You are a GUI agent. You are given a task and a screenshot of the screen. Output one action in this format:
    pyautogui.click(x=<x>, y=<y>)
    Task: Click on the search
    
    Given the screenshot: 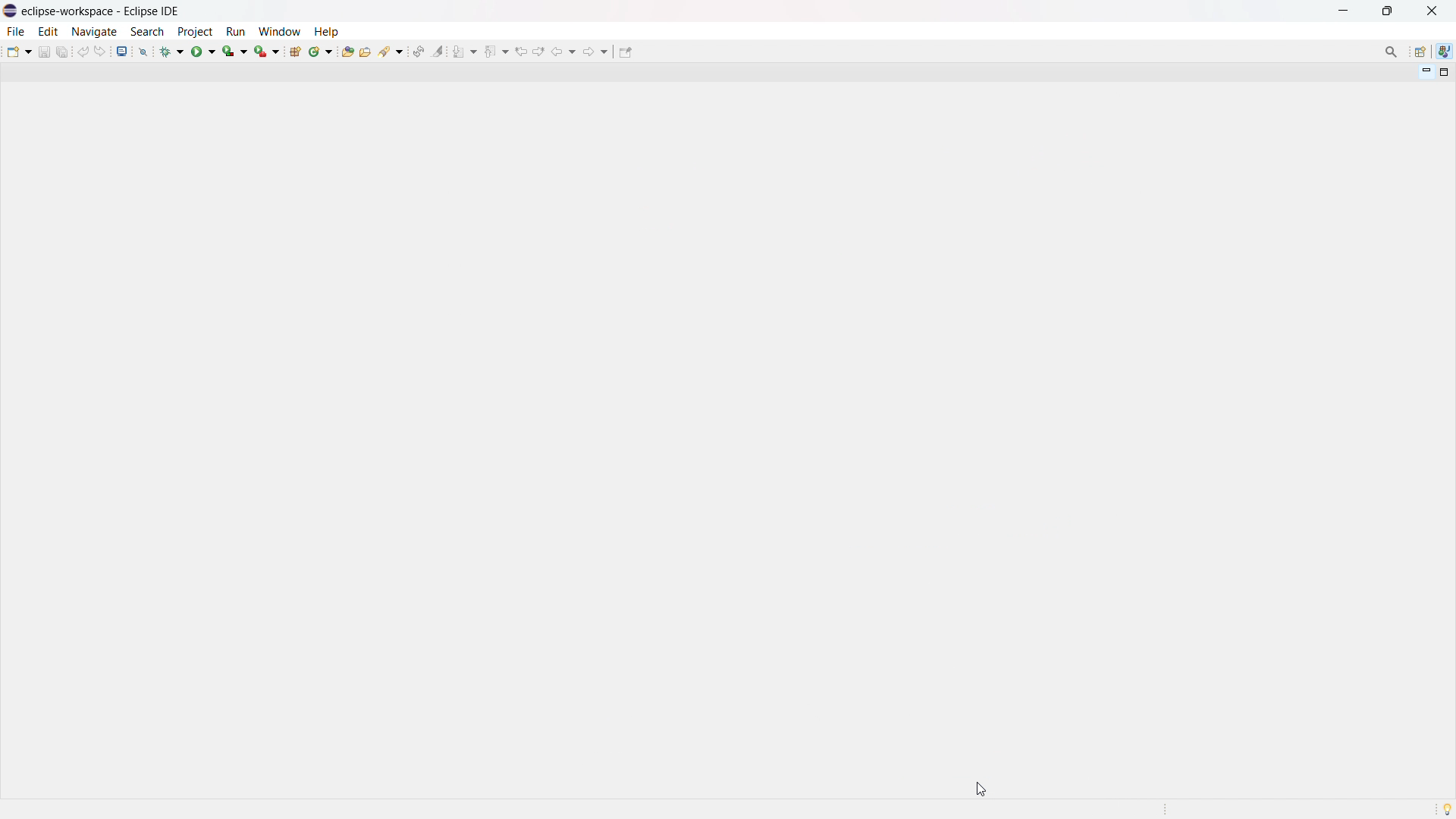 What is the action you would take?
    pyautogui.click(x=147, y=32)
    